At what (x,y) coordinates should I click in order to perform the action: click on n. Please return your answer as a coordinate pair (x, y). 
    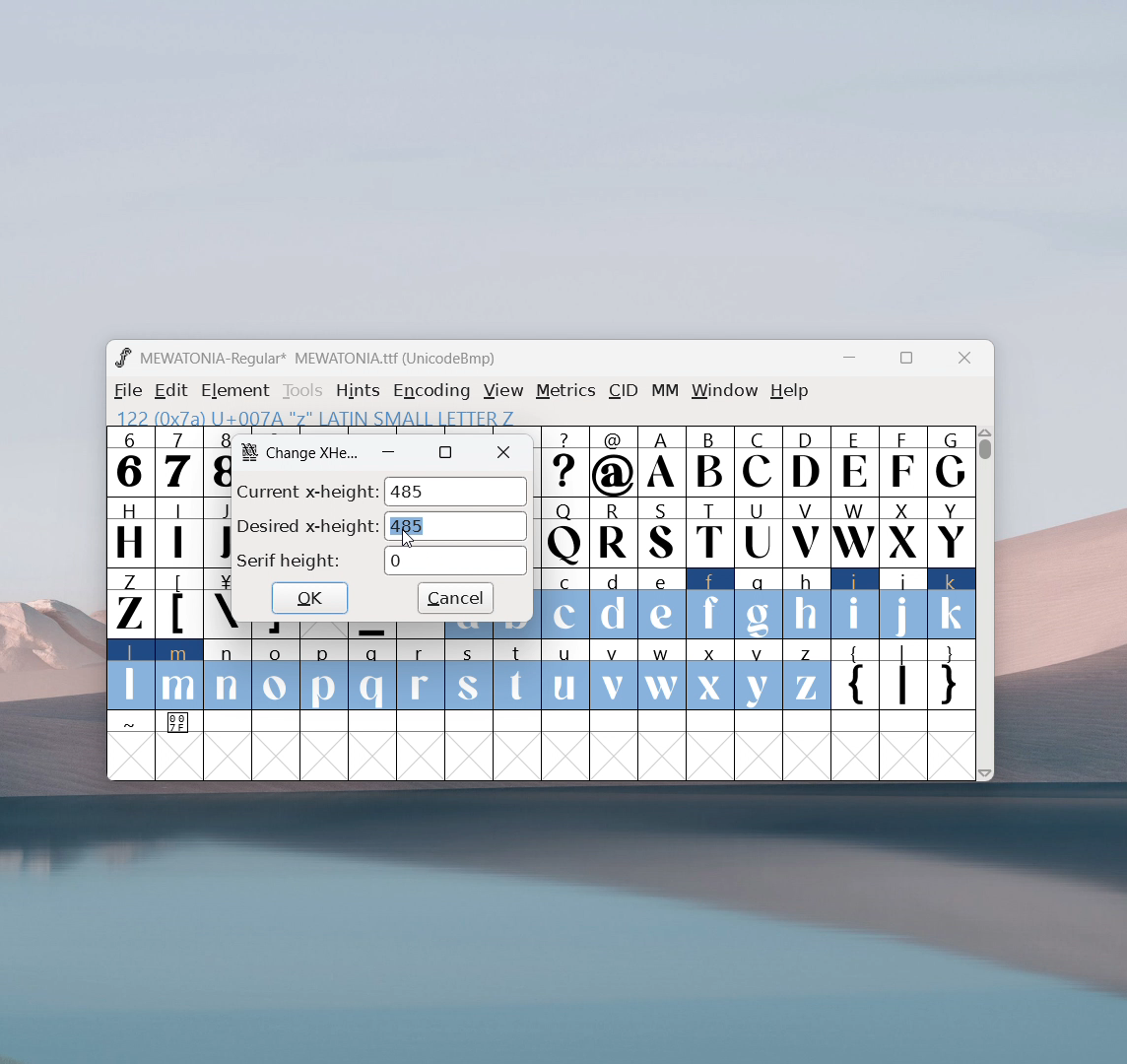
    Looking at the image, I should click on (228, 677).